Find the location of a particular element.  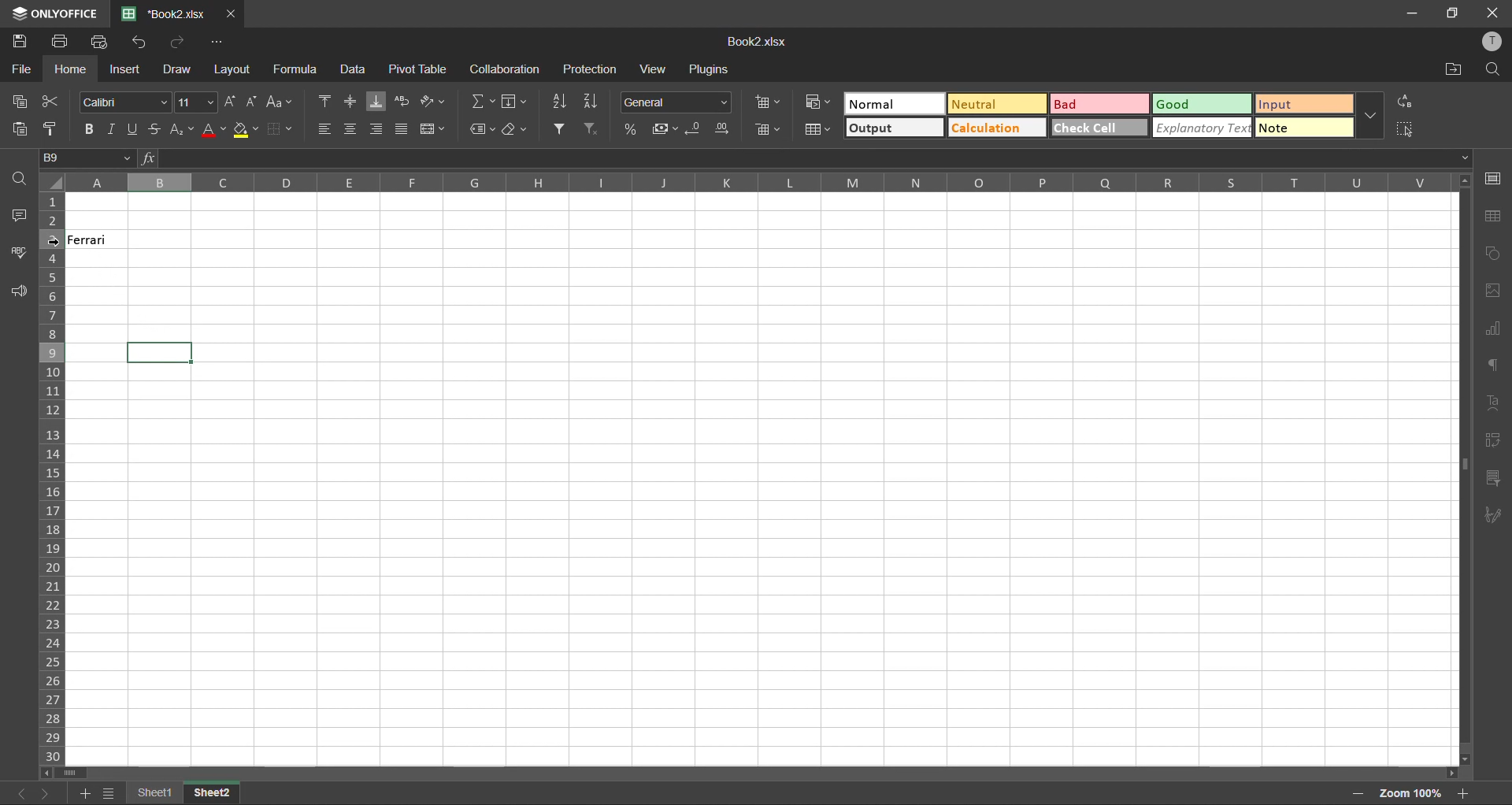

spellcheck is located at coordinates (19, 254).